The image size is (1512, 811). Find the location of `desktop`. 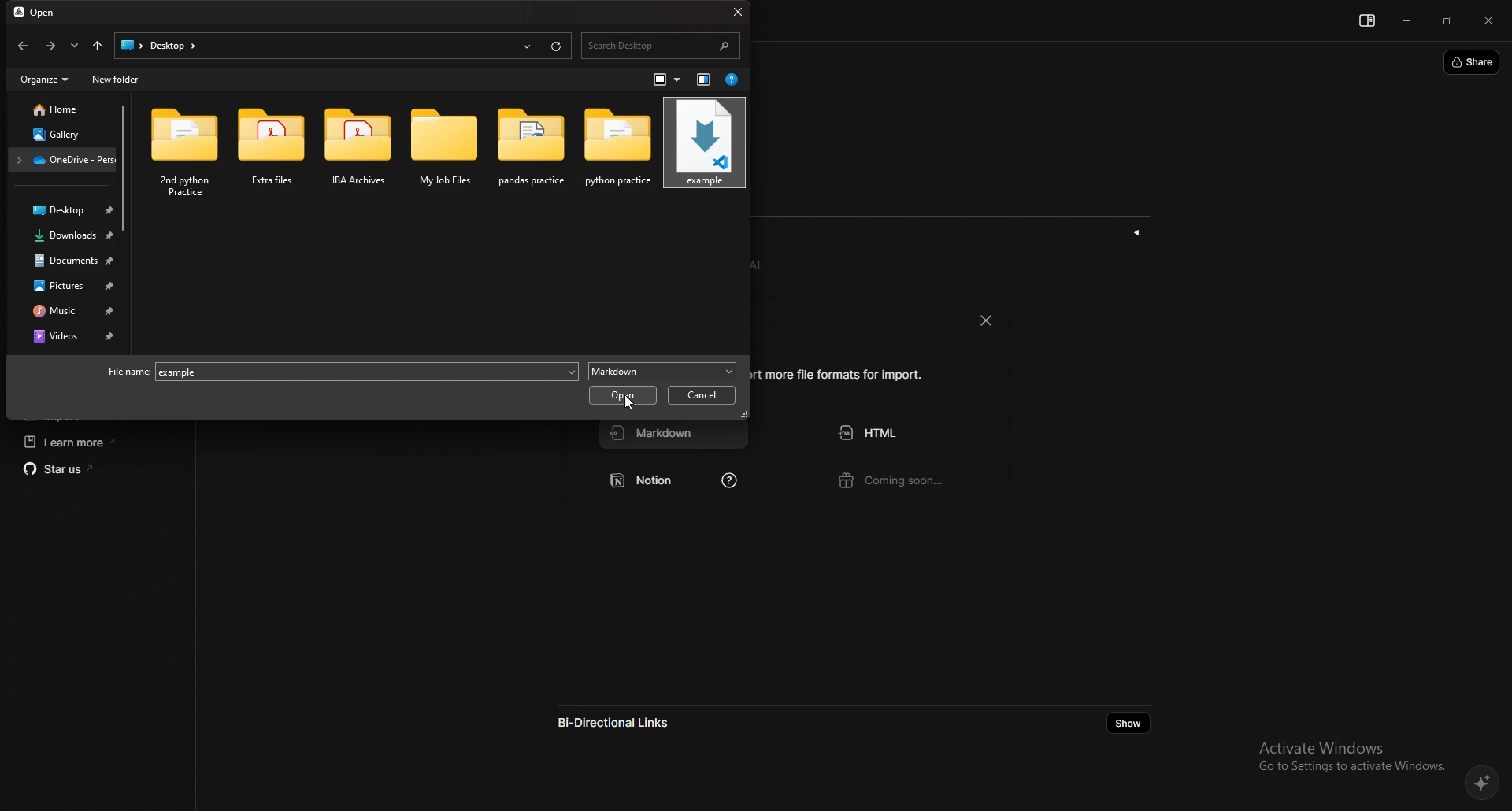

desktop is located at coordinates (66, 209).